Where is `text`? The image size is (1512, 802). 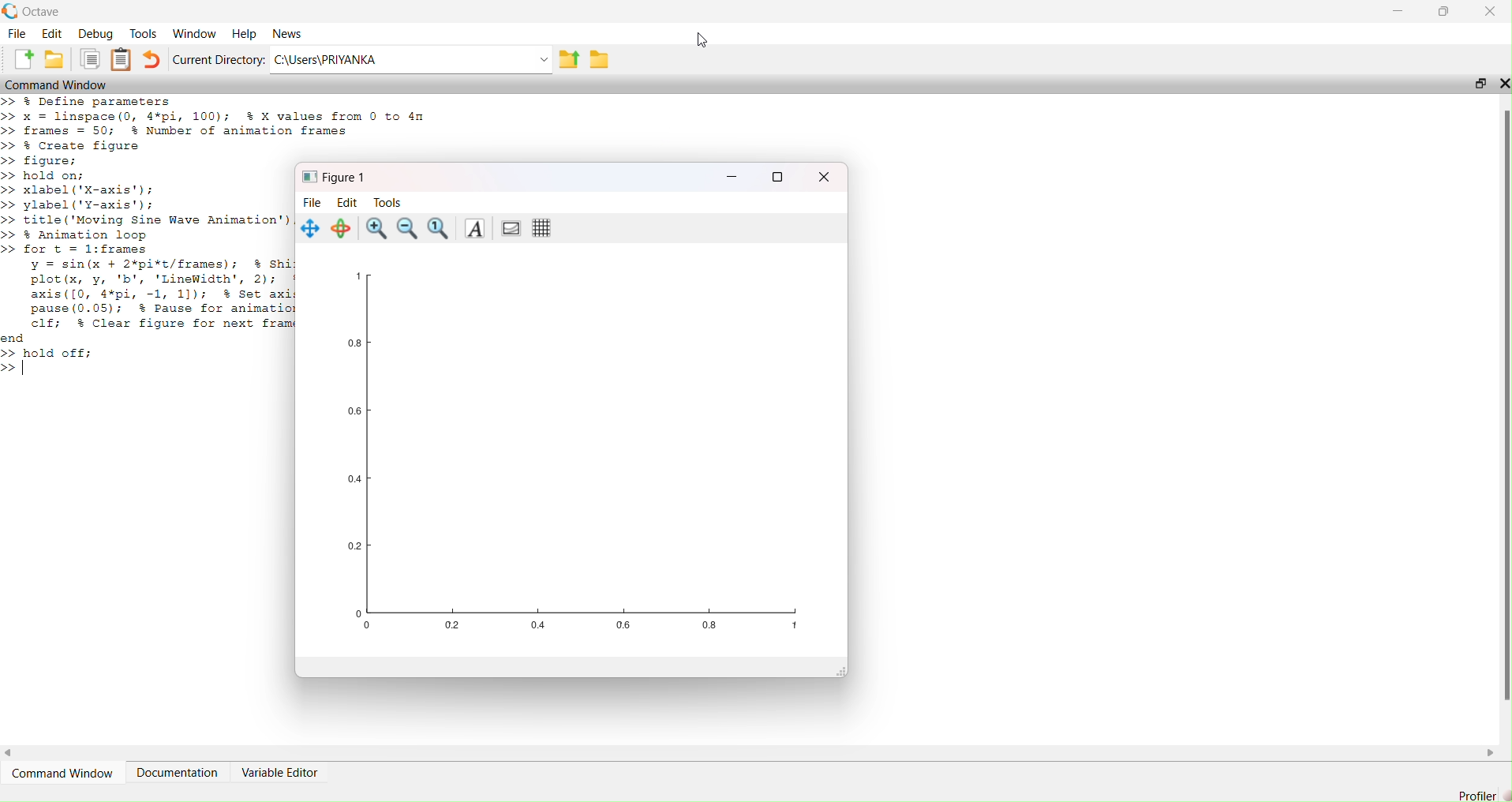
text is located at coordinates (475, 229).